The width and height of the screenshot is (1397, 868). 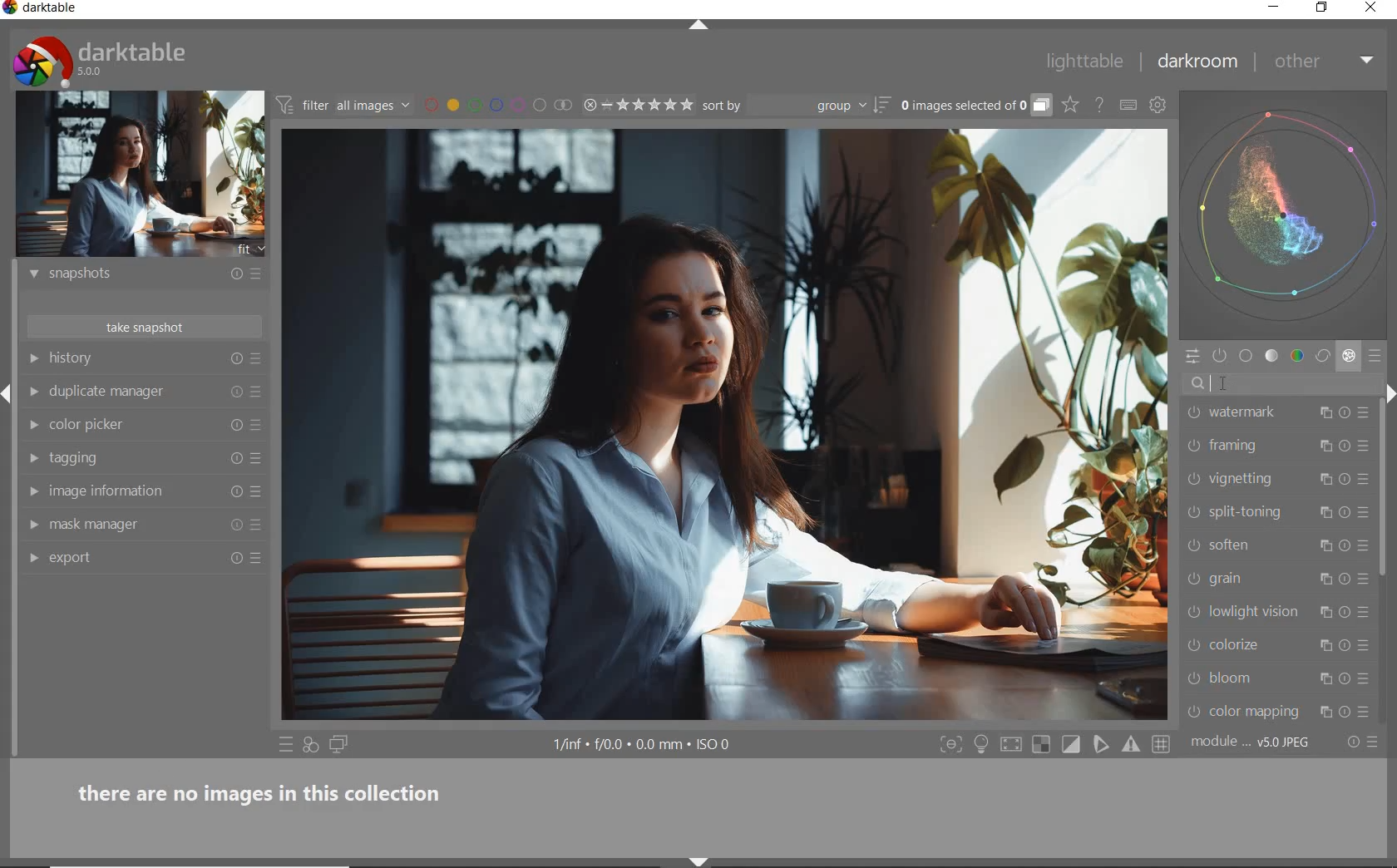 I want to click on multiple instance actions, so click(x=1328, y=543).